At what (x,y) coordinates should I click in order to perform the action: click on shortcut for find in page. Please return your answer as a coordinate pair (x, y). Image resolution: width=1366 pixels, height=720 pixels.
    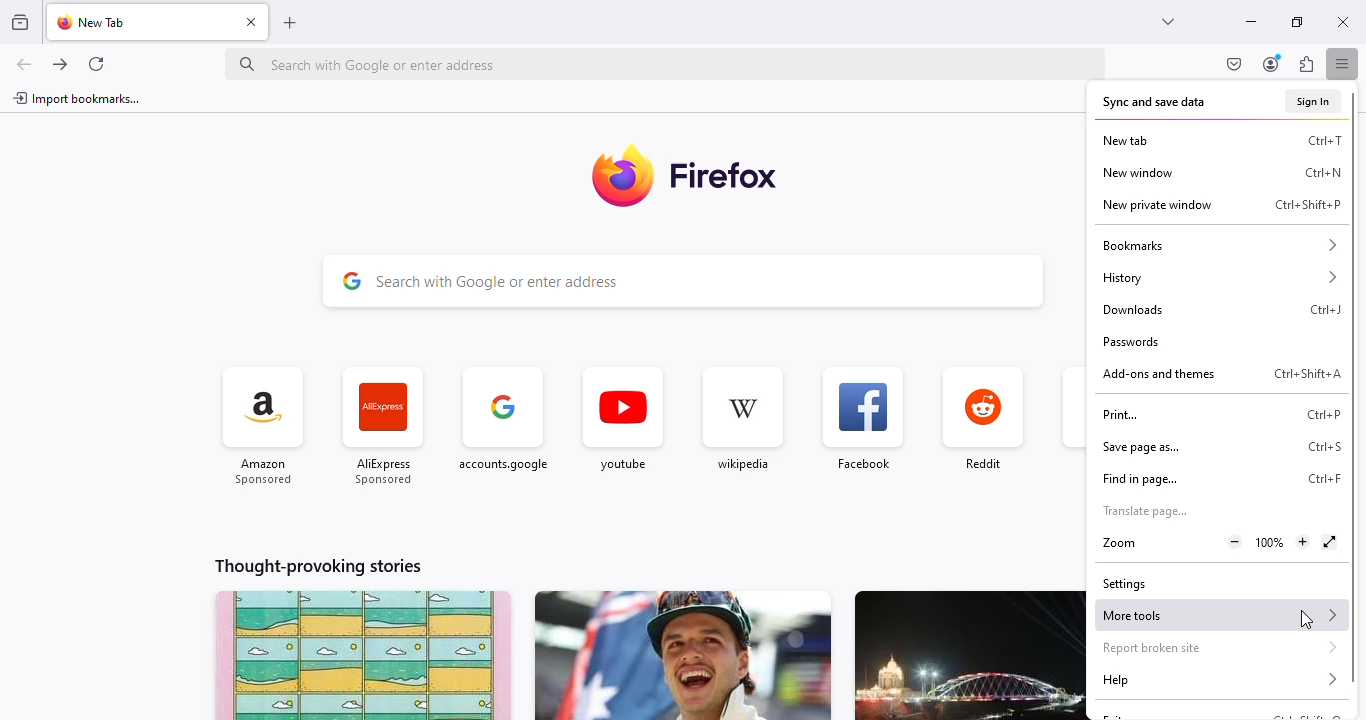
    Looking at the image, I should click on (1323, 480).